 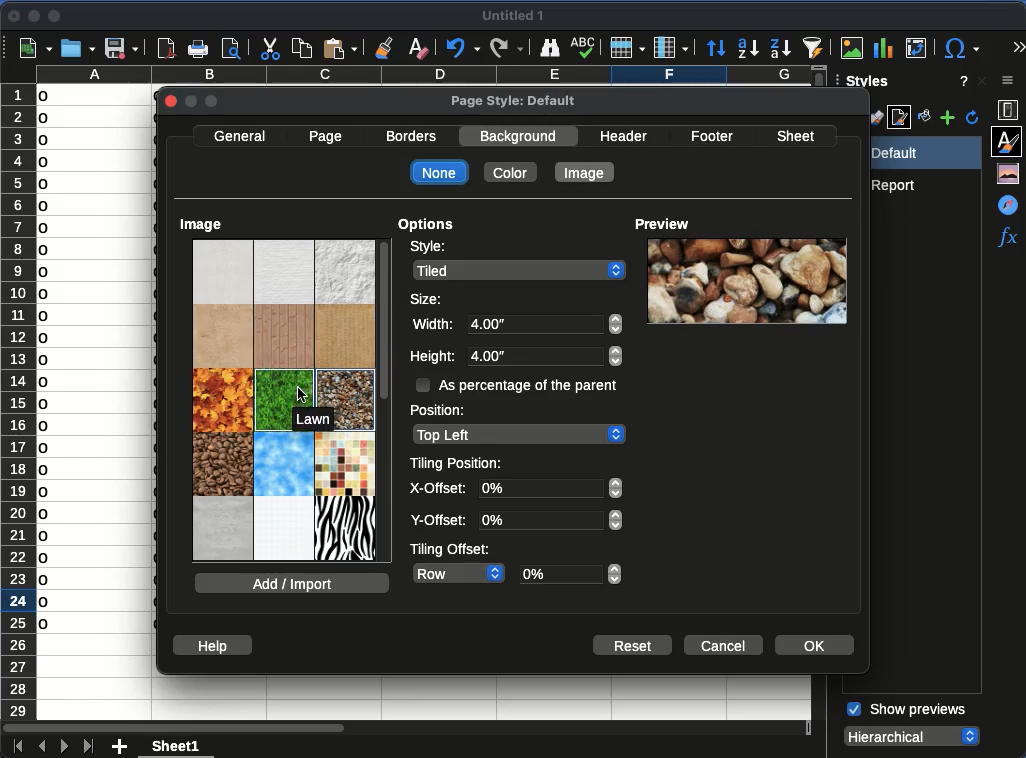 I want to click on styles, so click(x=1009, y=140).